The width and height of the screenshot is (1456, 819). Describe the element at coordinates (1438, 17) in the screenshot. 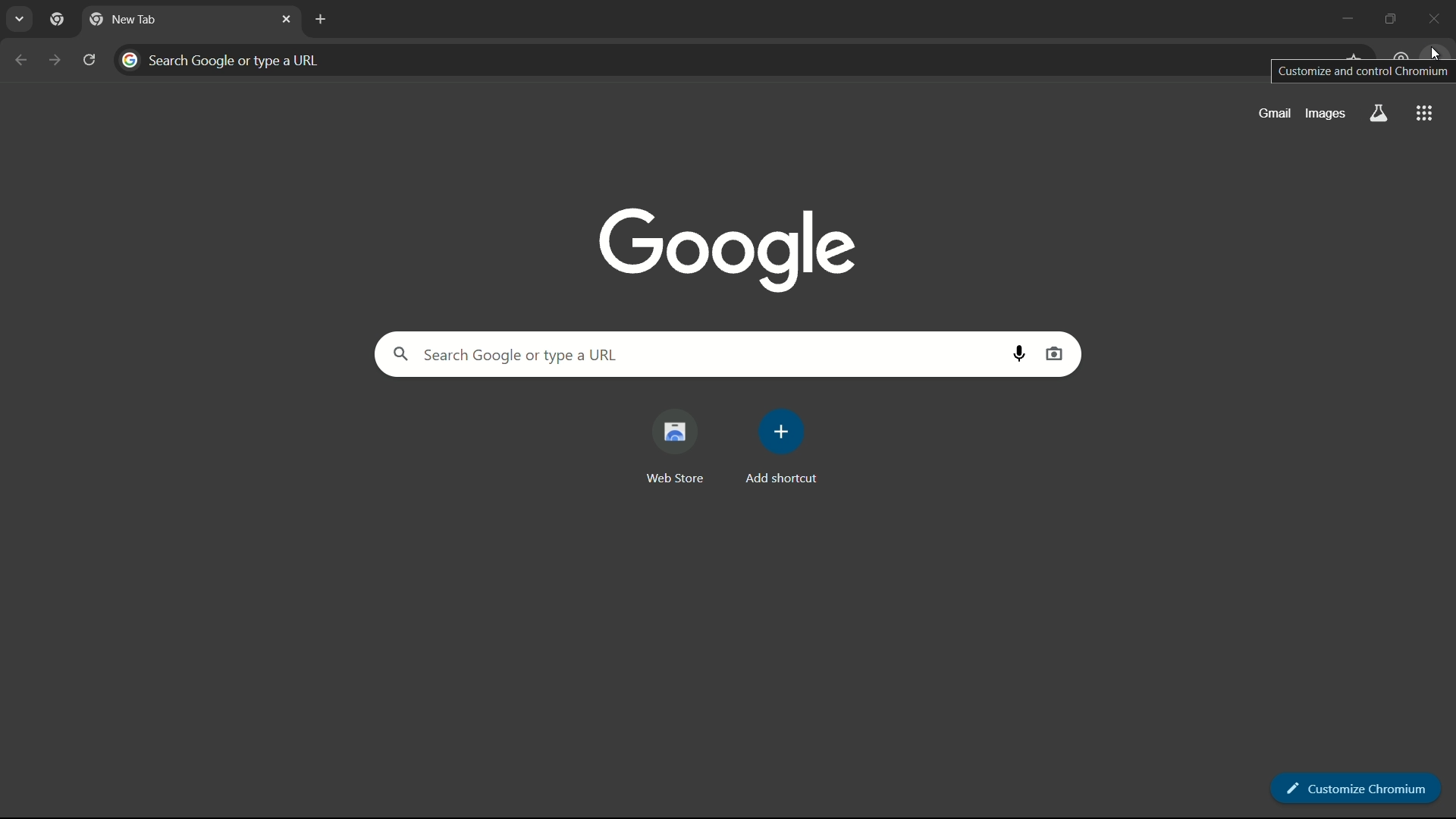

I see `close app` at that location.